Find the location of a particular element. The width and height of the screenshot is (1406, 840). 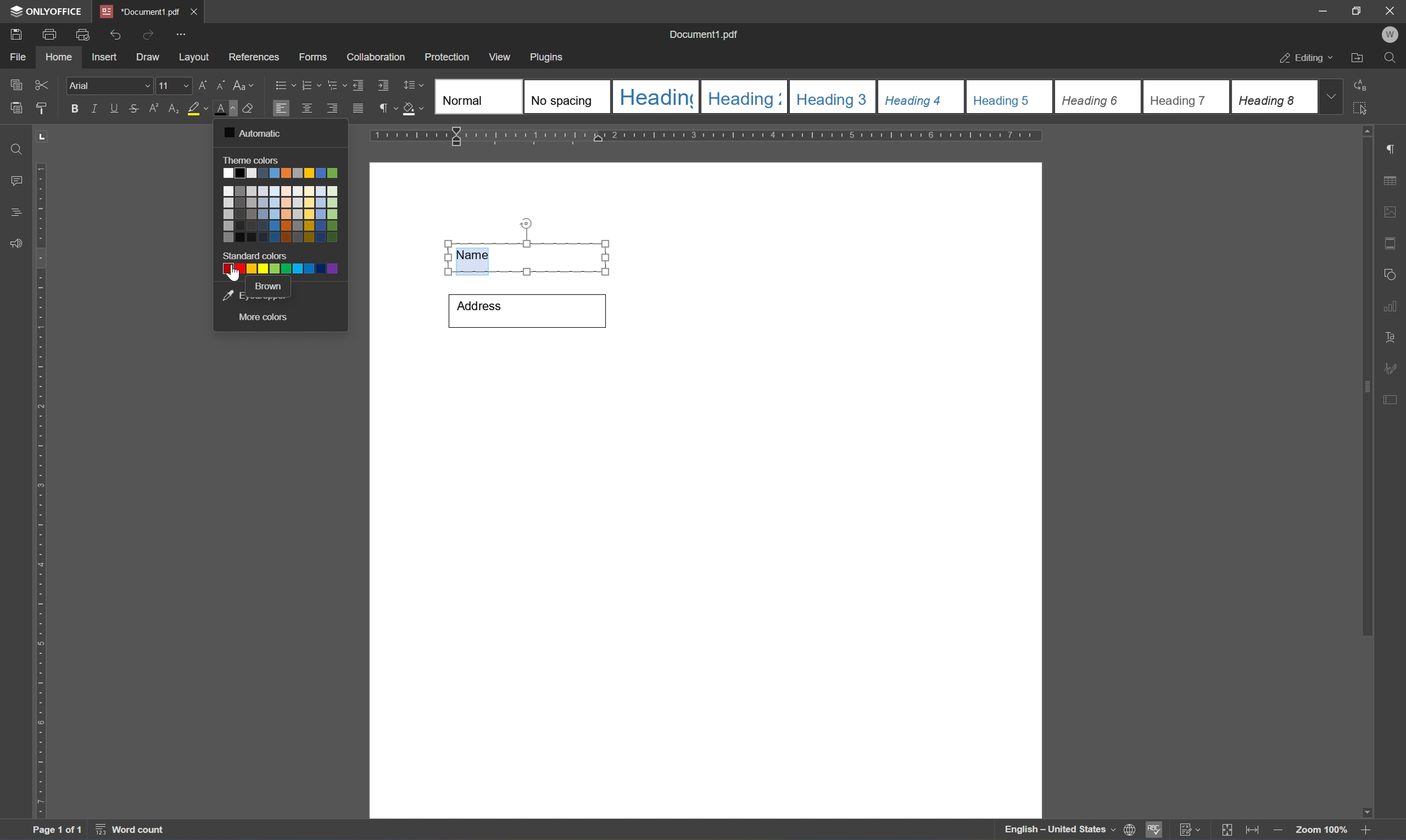

align center is located at coordinates (306, 108).